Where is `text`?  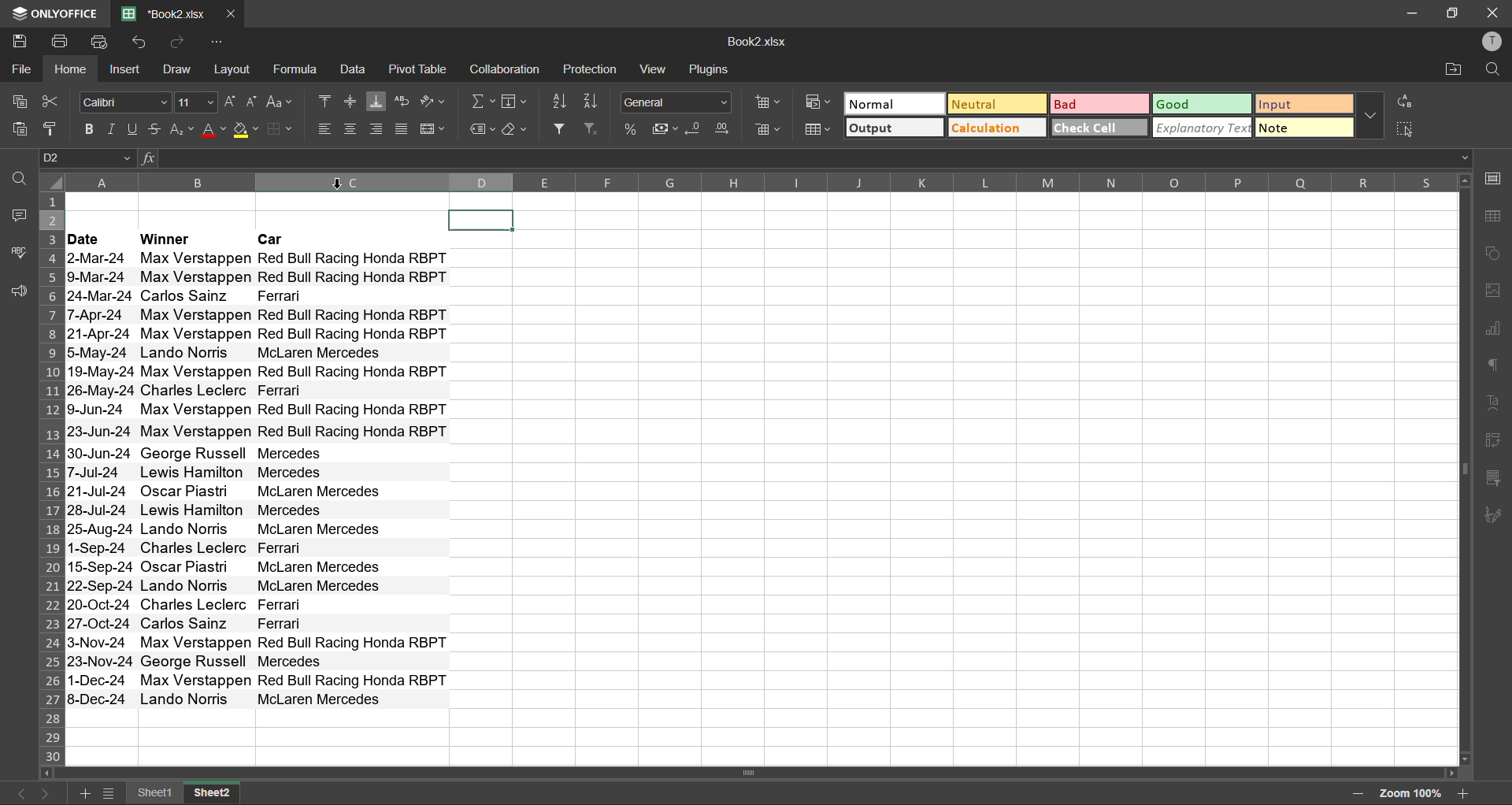
text is located at coordinates (1492, 405).